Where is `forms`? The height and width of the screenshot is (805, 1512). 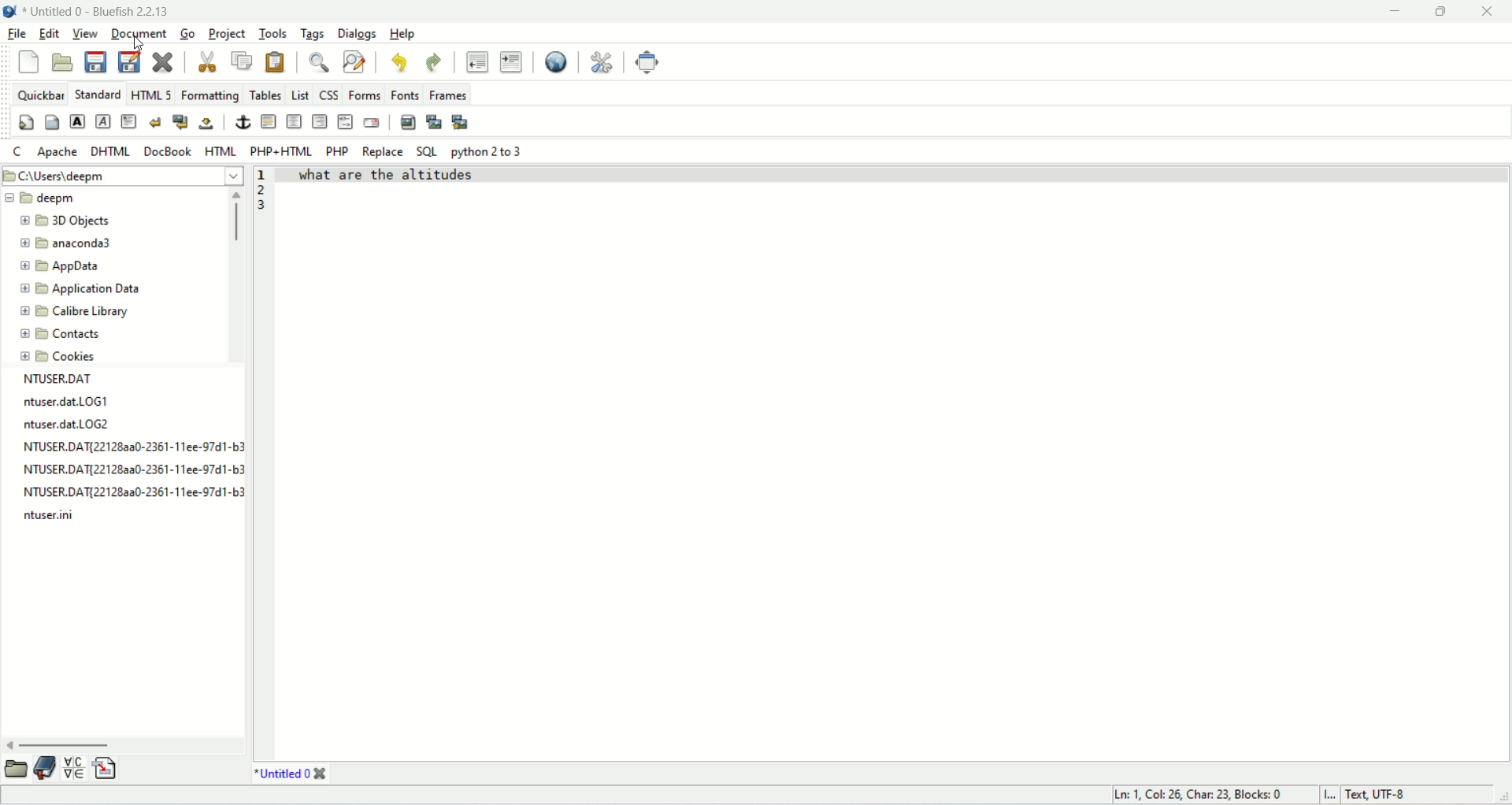 forms is located at coordinates (365, 95).